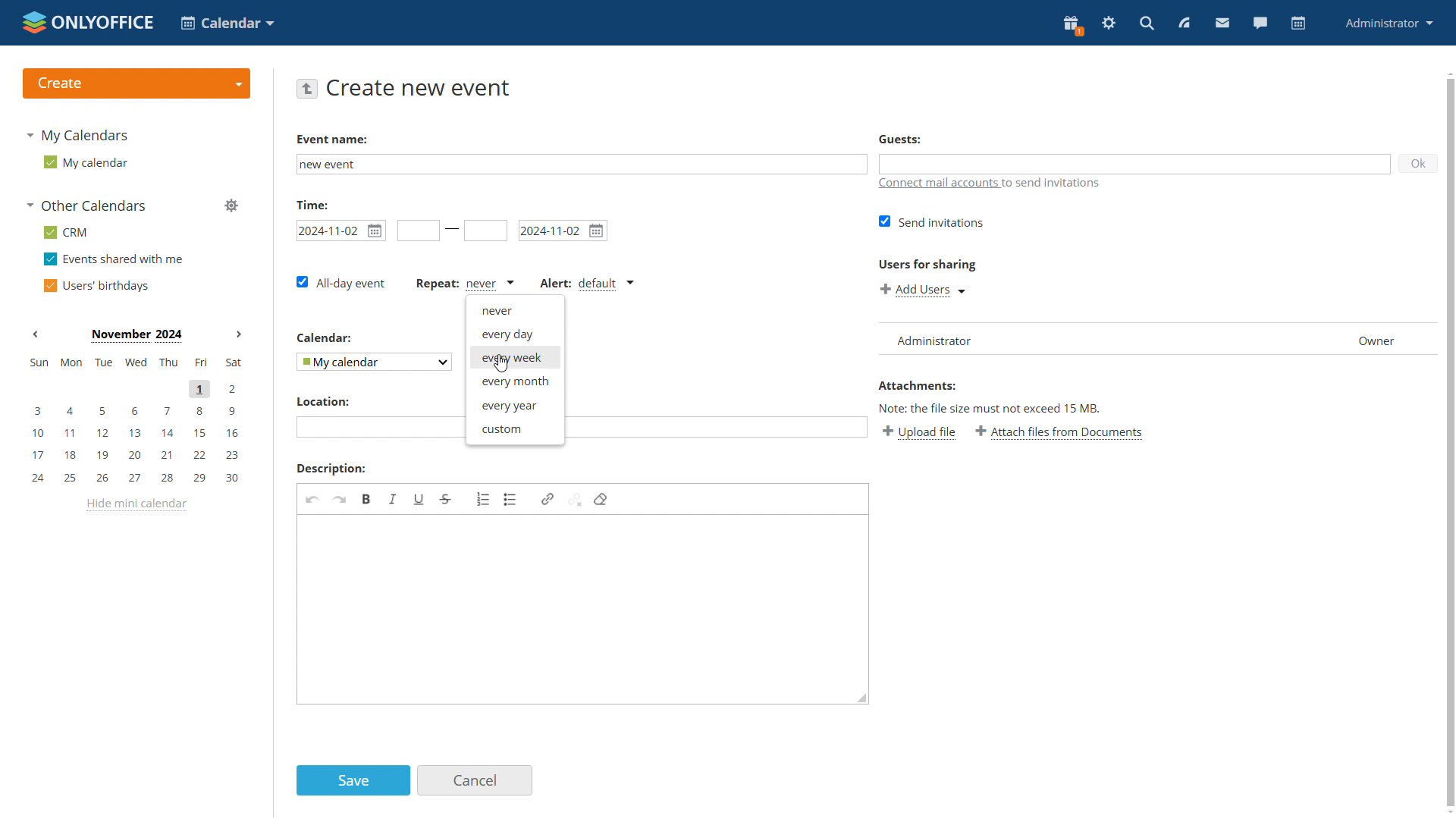 Image resolution: width=1456 pixels, height=819 pixels. I want to click on event start date, so click(341, 230).